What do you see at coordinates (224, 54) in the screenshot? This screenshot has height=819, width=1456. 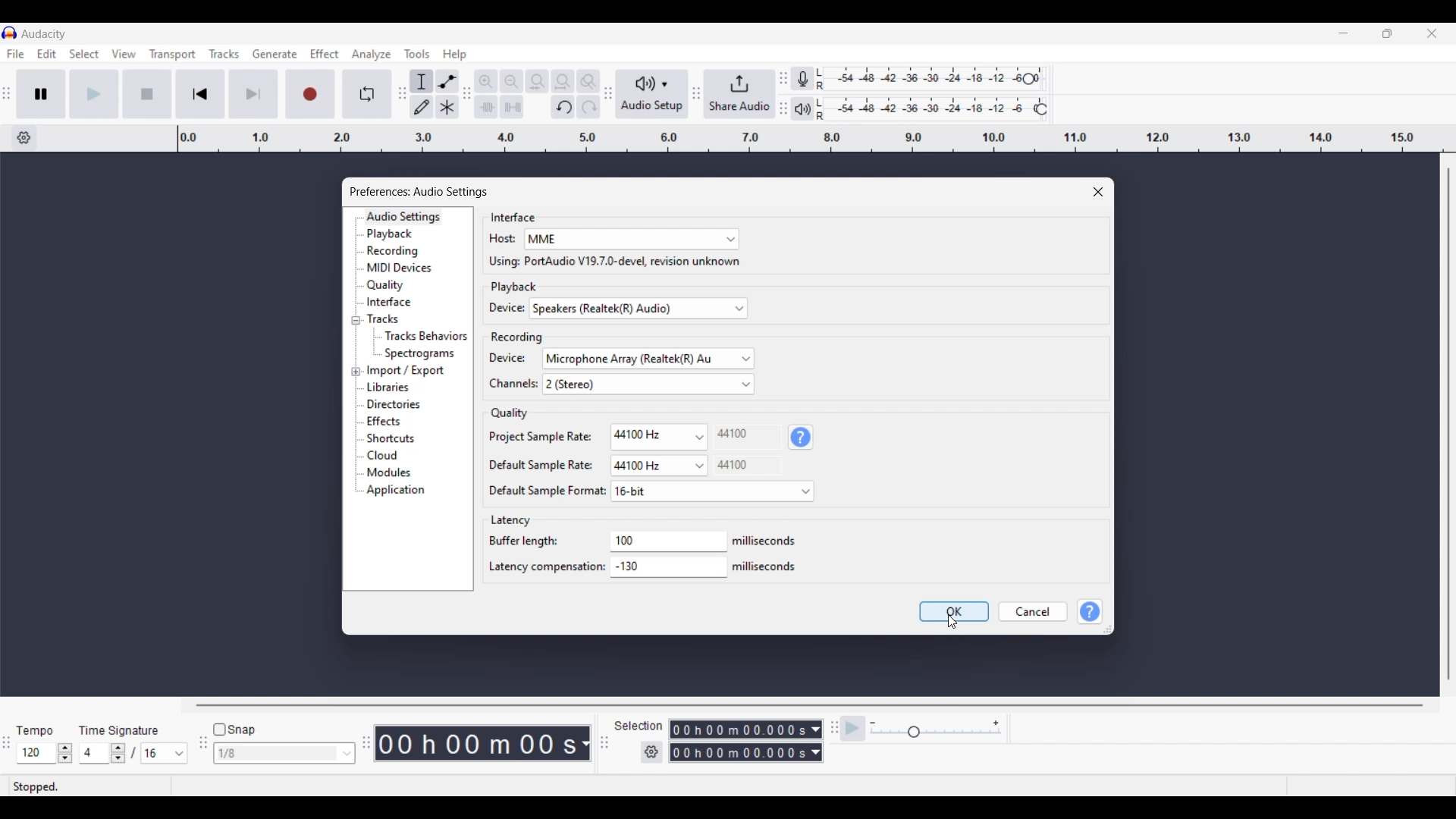 I see `Tracks menu` at bounding box center [224, 54].